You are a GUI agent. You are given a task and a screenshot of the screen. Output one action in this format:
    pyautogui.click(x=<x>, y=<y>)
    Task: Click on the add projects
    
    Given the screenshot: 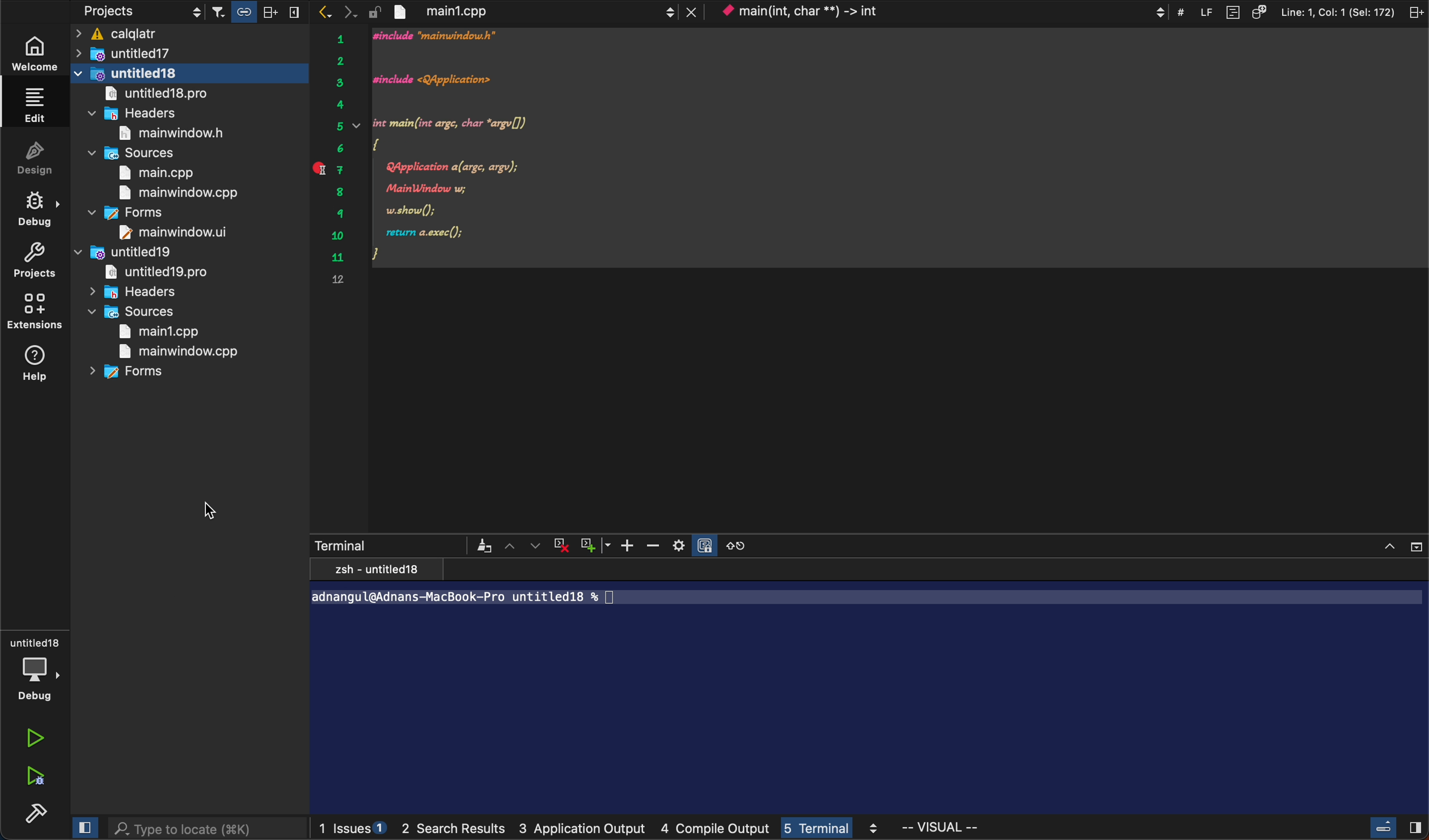 What is the action you would take?
    pyautogui.click(x=241, y=254)
    